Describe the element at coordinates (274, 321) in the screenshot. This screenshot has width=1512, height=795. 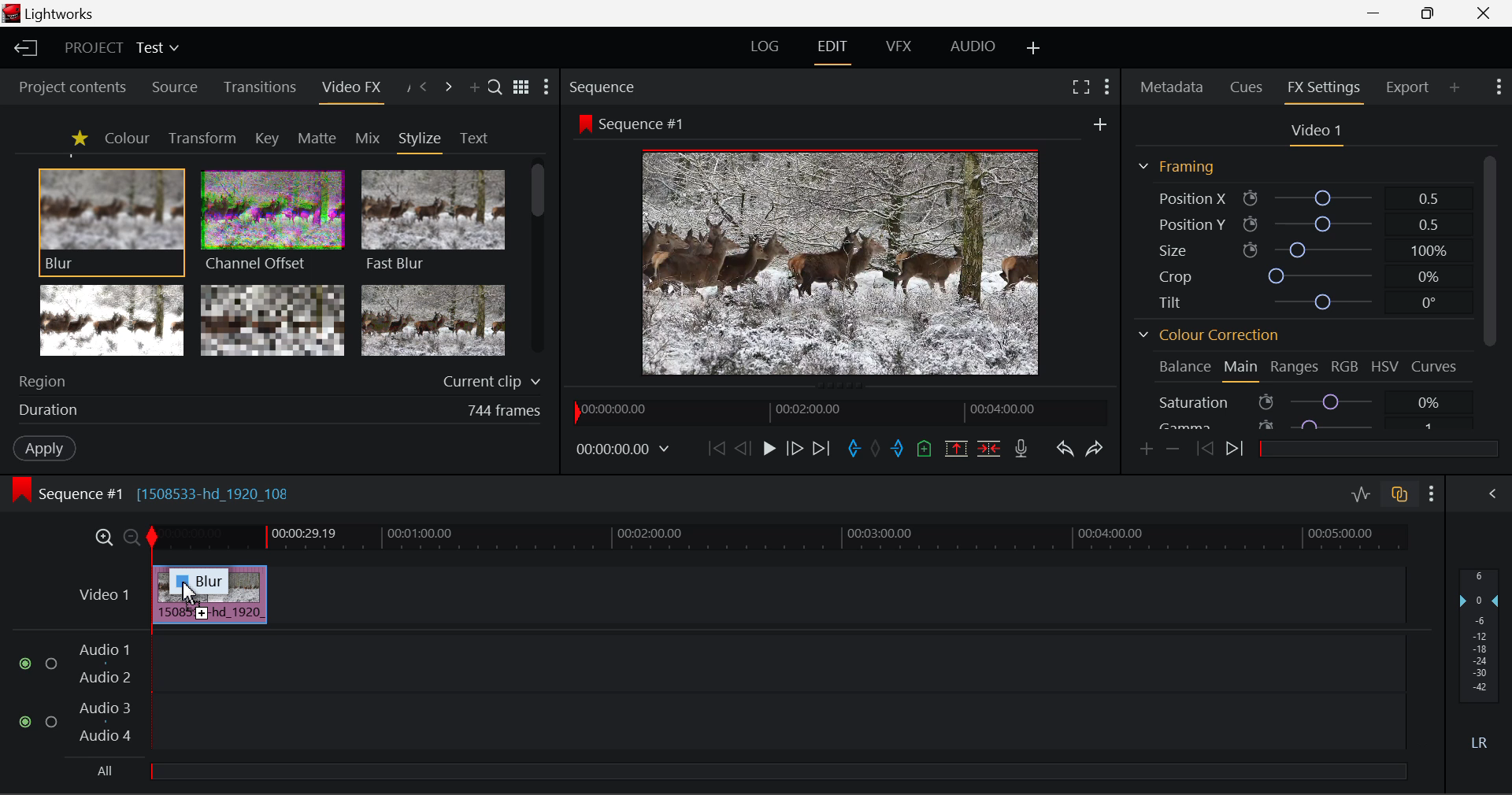
I see `Mosaic` at that location.